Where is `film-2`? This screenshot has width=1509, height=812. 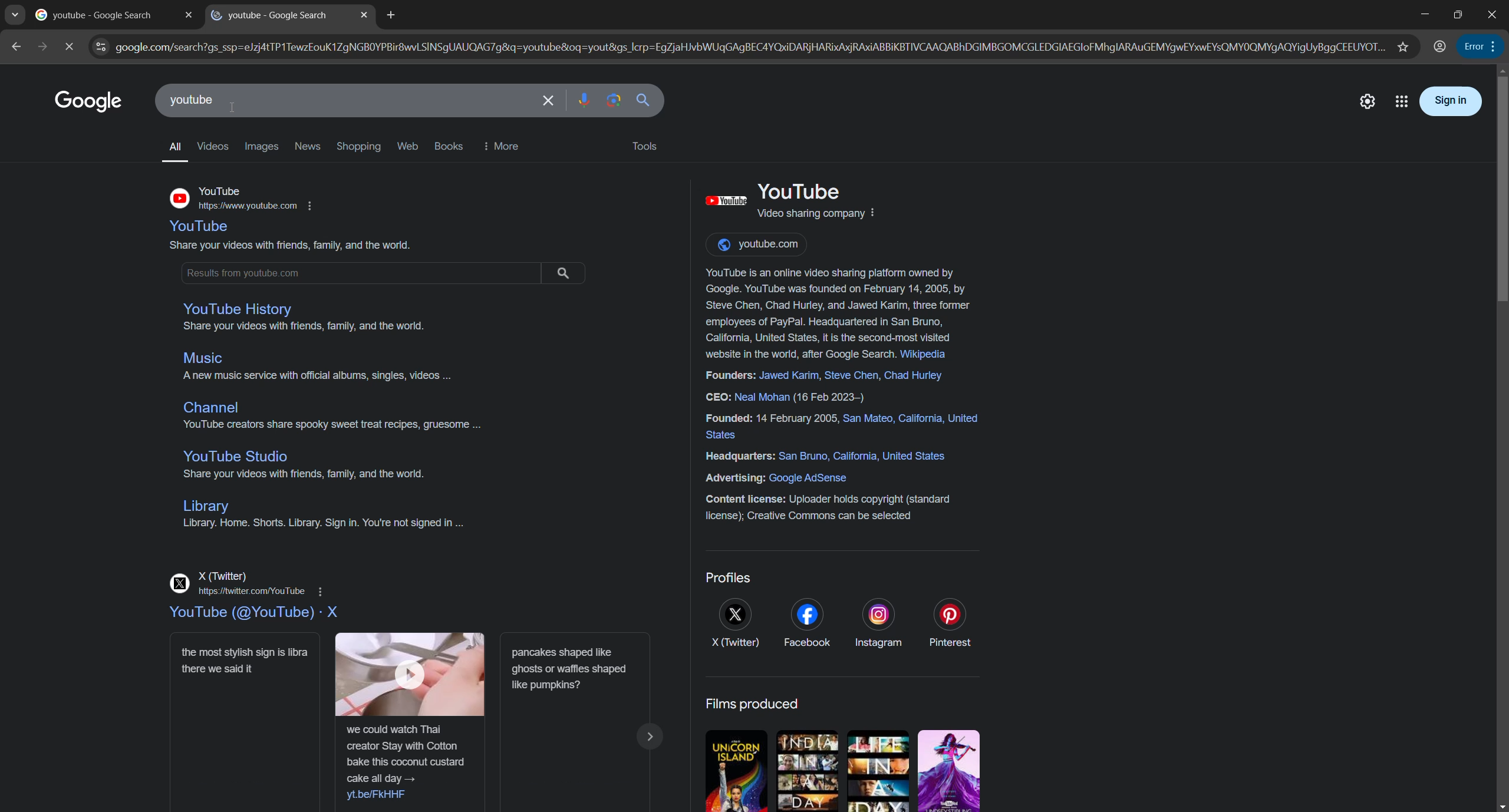 film-2 is located at coordinates (808, 771).